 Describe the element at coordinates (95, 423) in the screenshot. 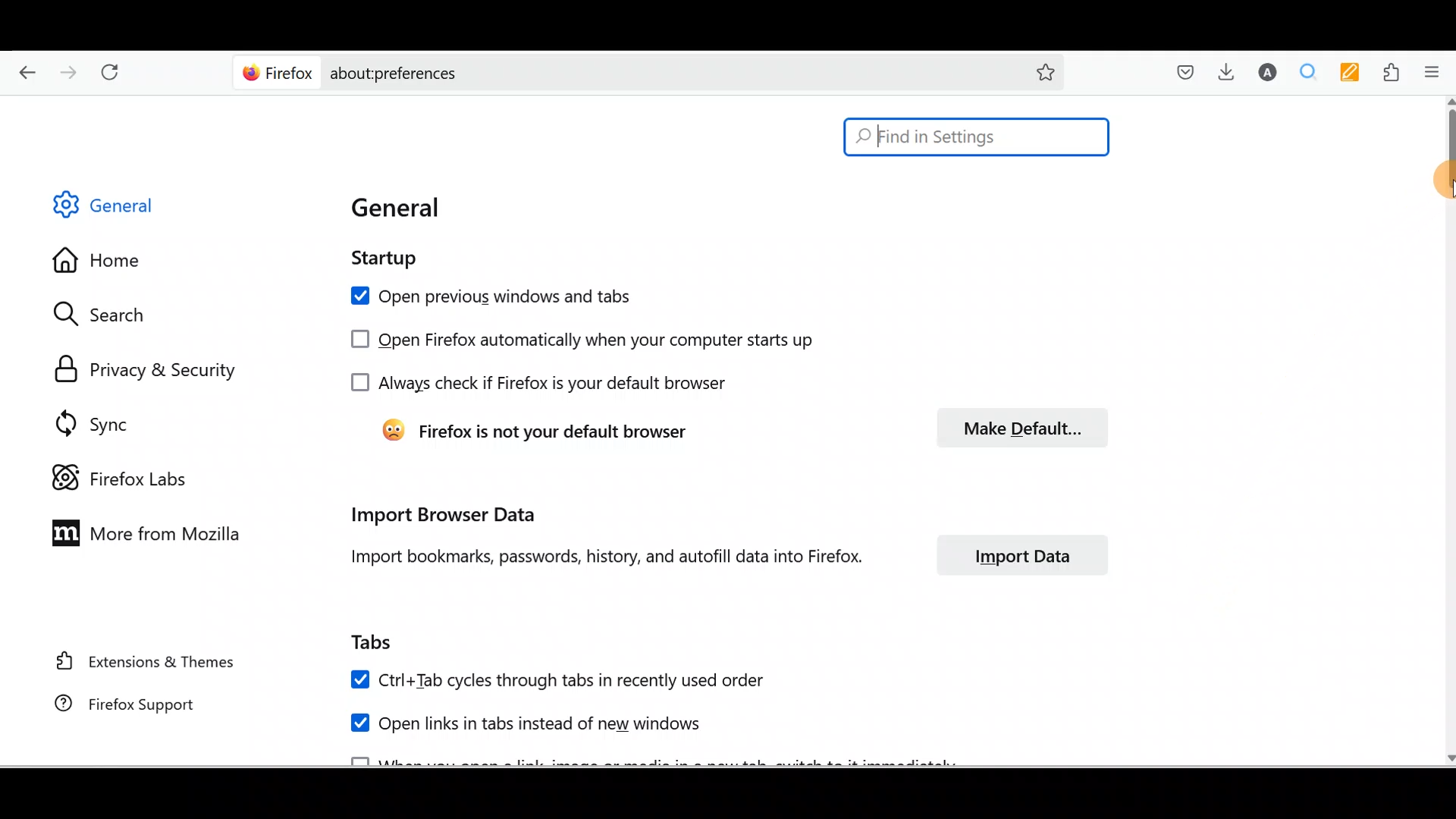

I see `Sync` at that location.